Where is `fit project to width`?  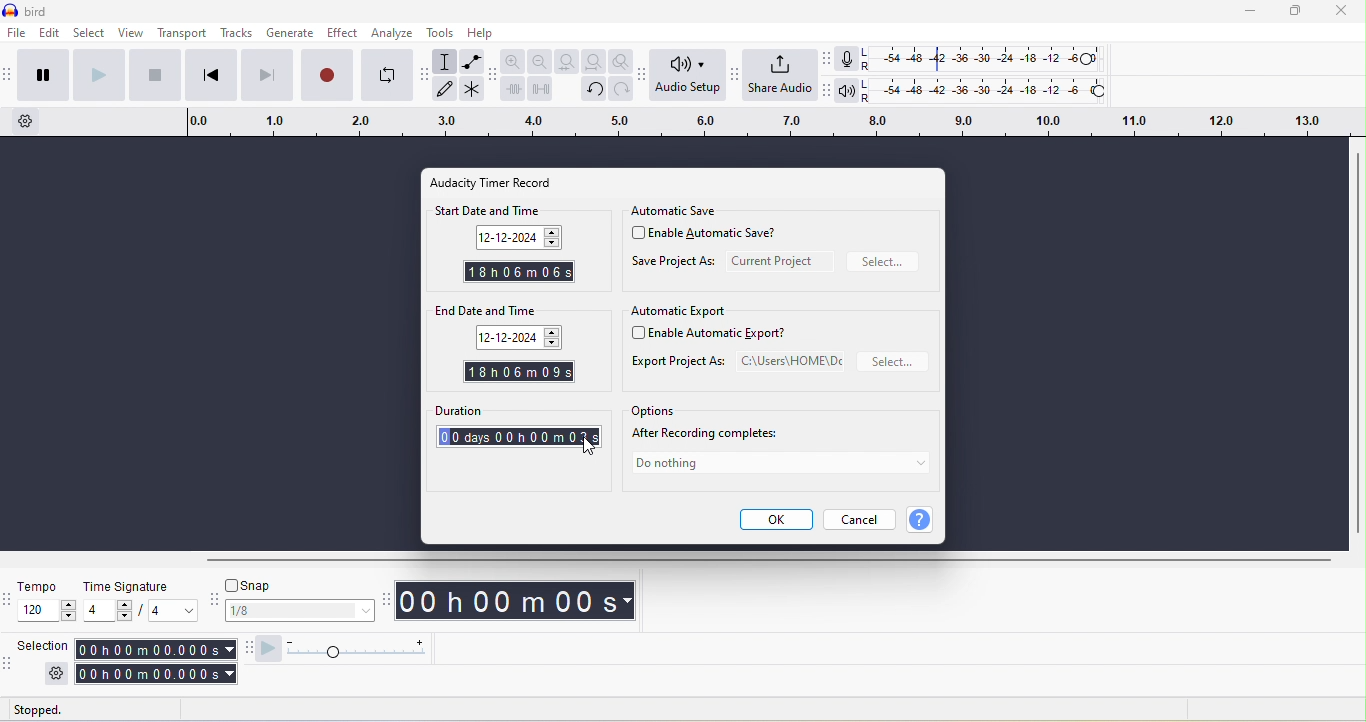
fit project to width is located at coordinates (591, 61).